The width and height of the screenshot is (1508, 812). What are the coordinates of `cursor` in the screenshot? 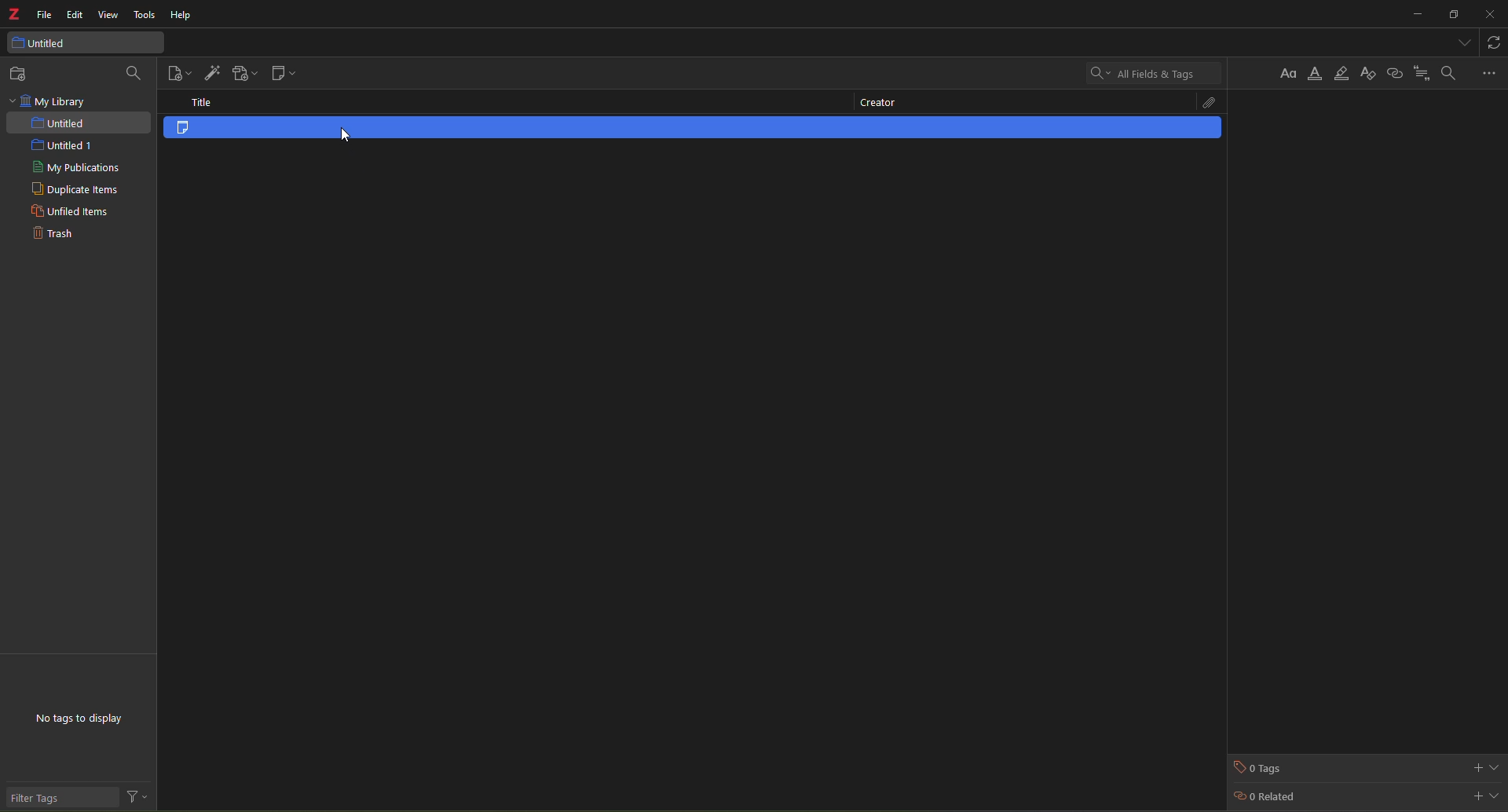 It's located at (344, 134).